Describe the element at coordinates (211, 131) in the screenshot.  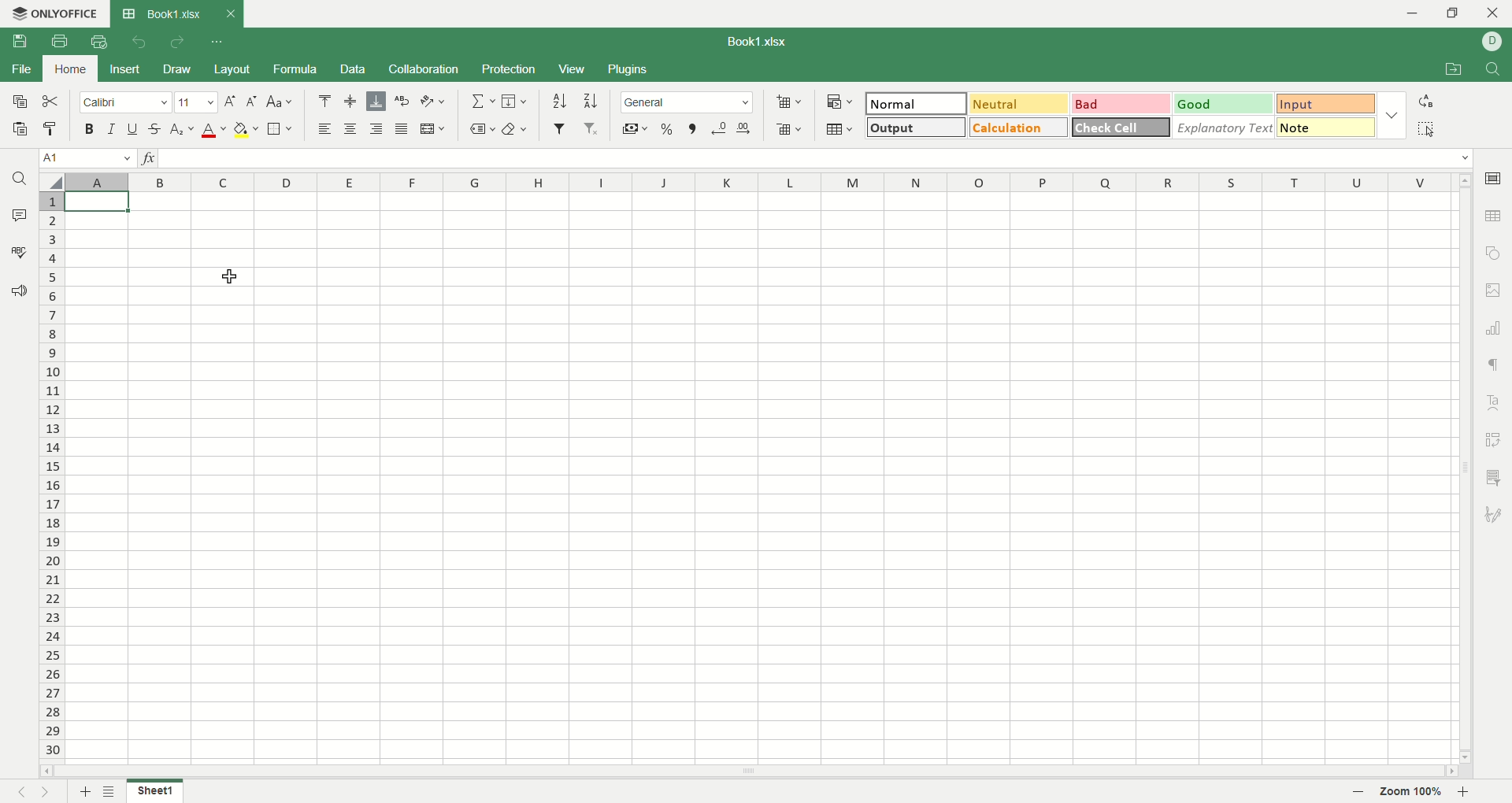
I see `font color` at that location.